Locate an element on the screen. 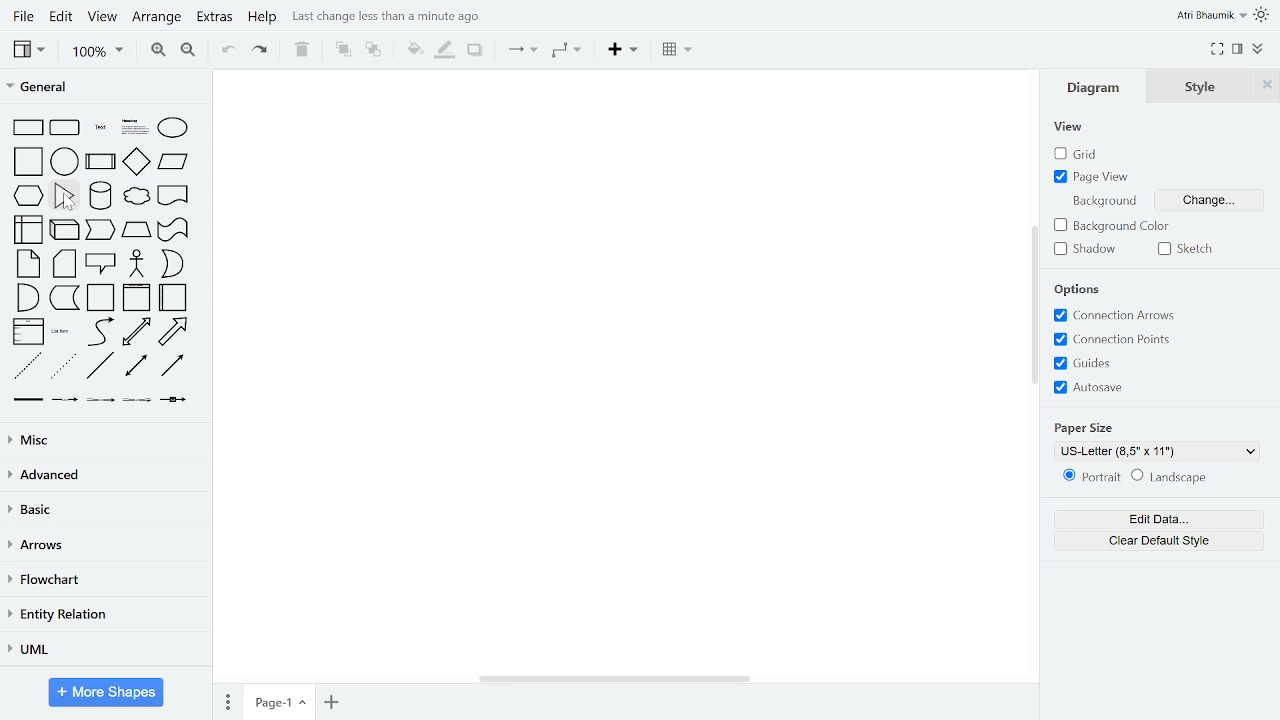  current page view is located at coordinates (1155, 453).